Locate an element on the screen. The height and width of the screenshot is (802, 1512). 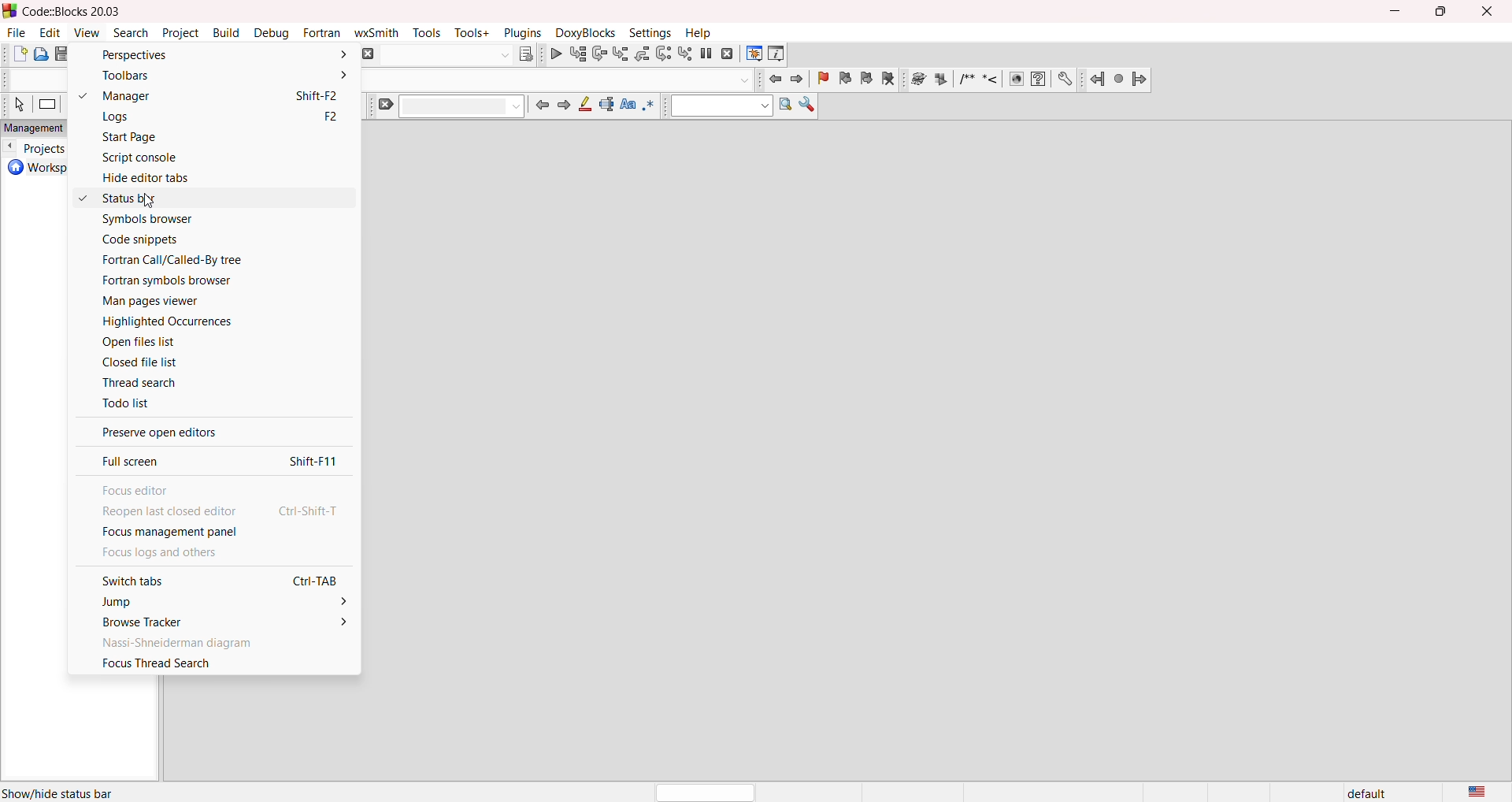
add new is located at coordinates (17, 54).